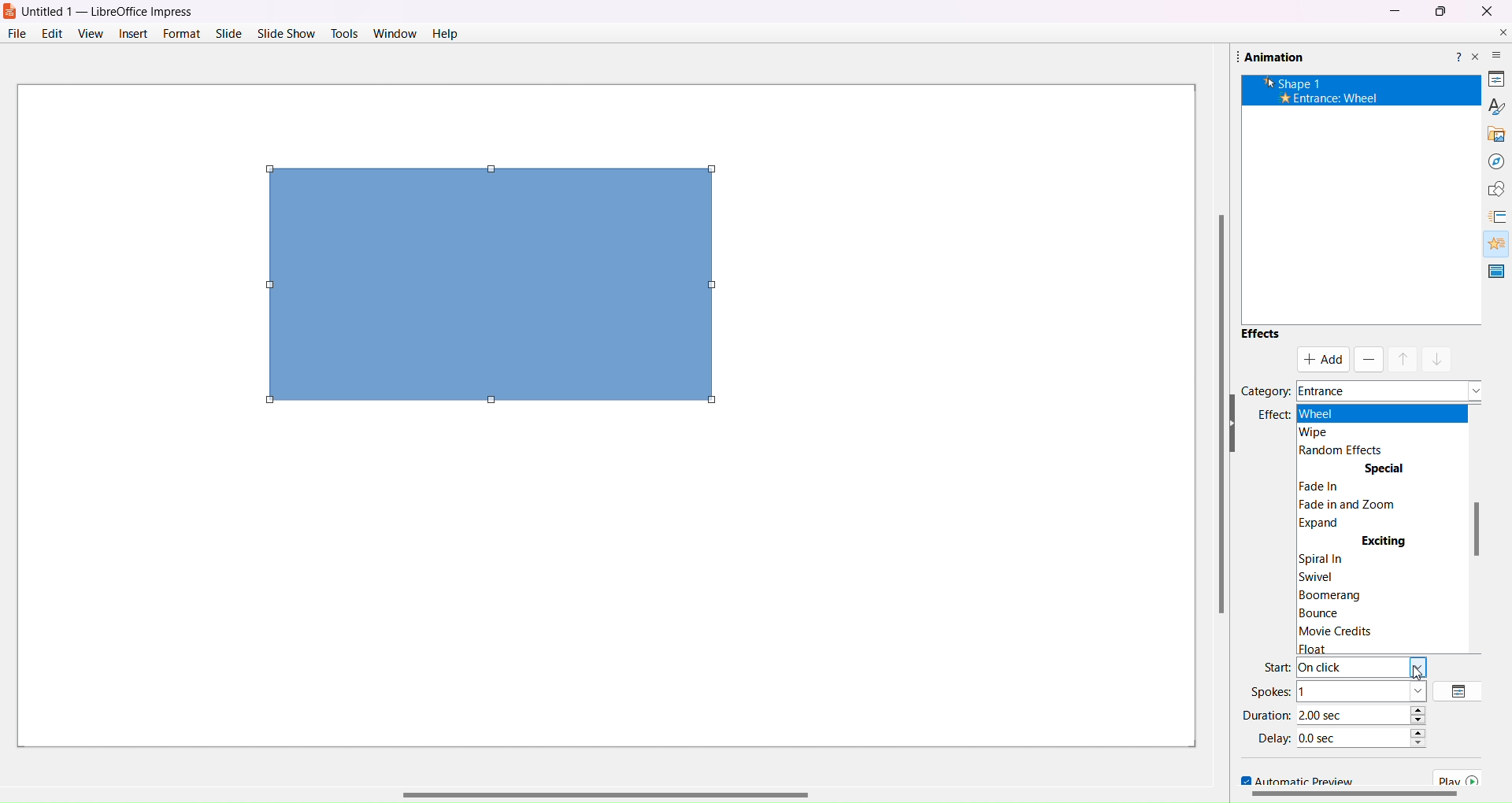 This screenshot has width=1512, height=803. I want to click on Effect, so click(1271, 413).